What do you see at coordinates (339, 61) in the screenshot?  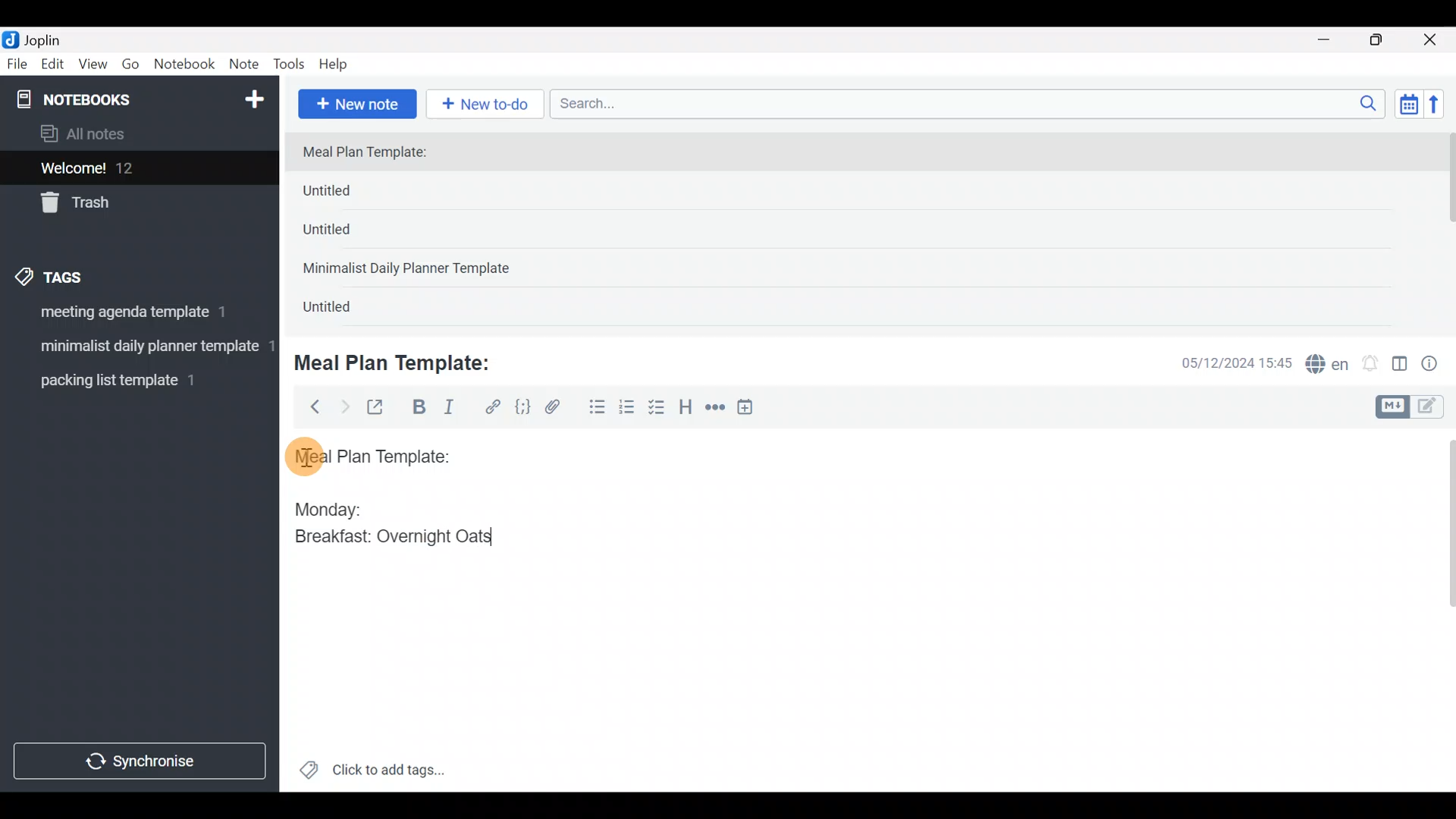 I see `Help` at bounding box center [339, 61].